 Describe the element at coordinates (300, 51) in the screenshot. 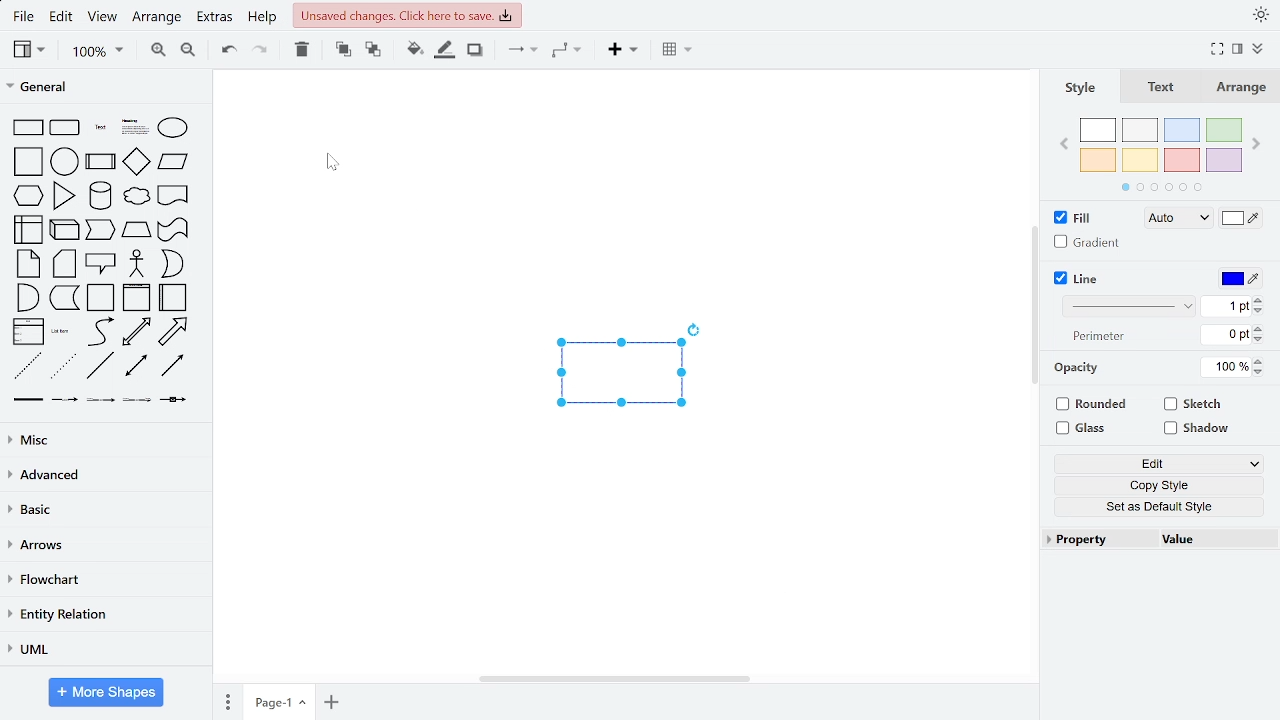

I see `delete` at that location.